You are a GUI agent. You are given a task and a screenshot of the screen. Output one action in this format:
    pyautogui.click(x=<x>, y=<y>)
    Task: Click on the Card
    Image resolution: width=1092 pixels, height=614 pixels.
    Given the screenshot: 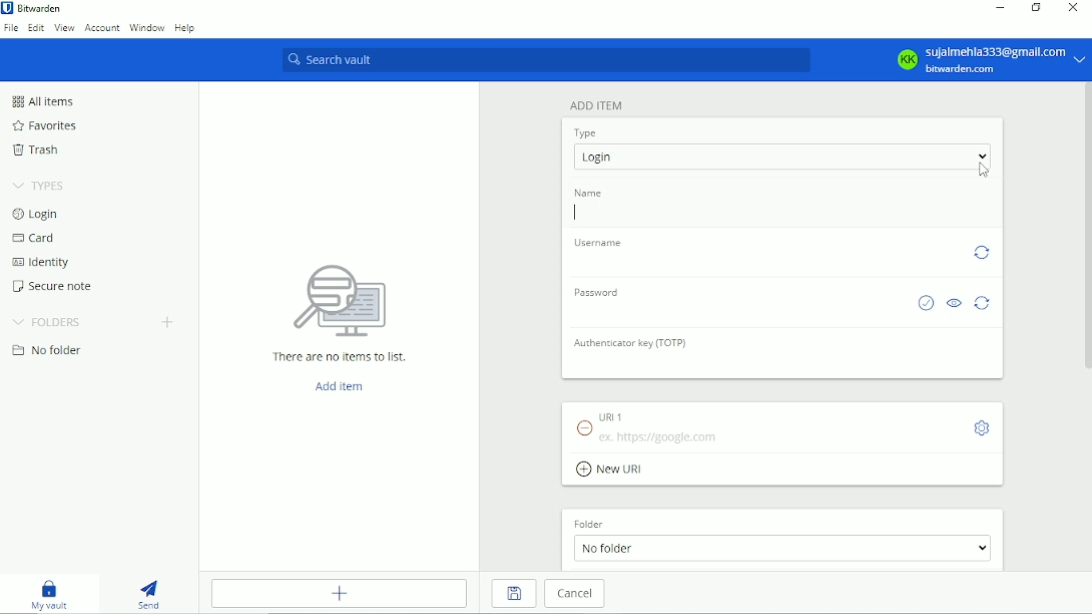 What is the action you would take?
    pyautogui.click(x=33, y=239)
    